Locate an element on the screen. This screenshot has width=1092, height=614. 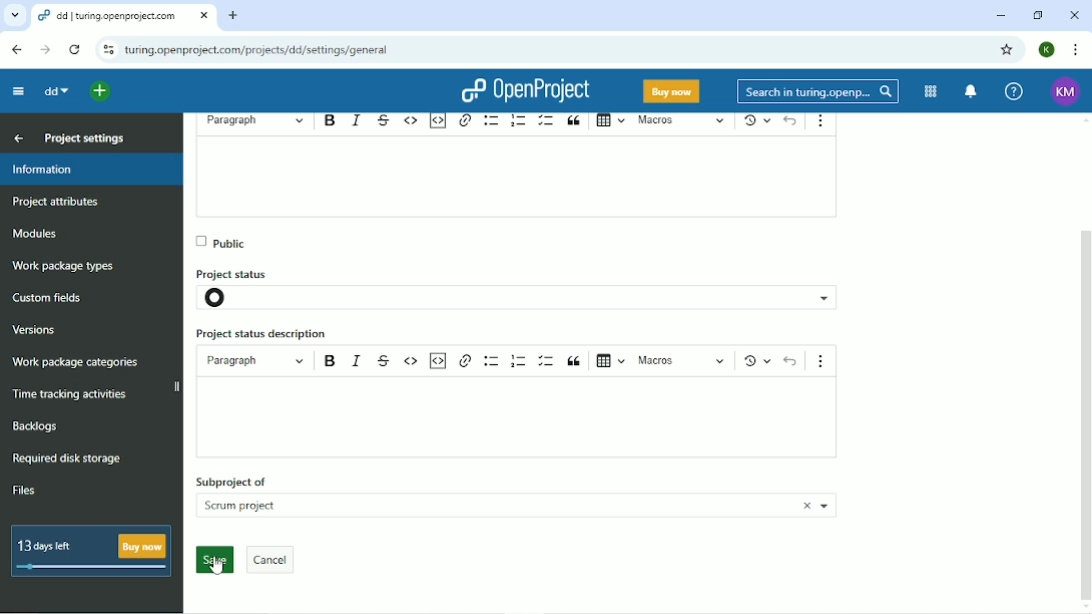
block quote is located at coordinates (577, 359).